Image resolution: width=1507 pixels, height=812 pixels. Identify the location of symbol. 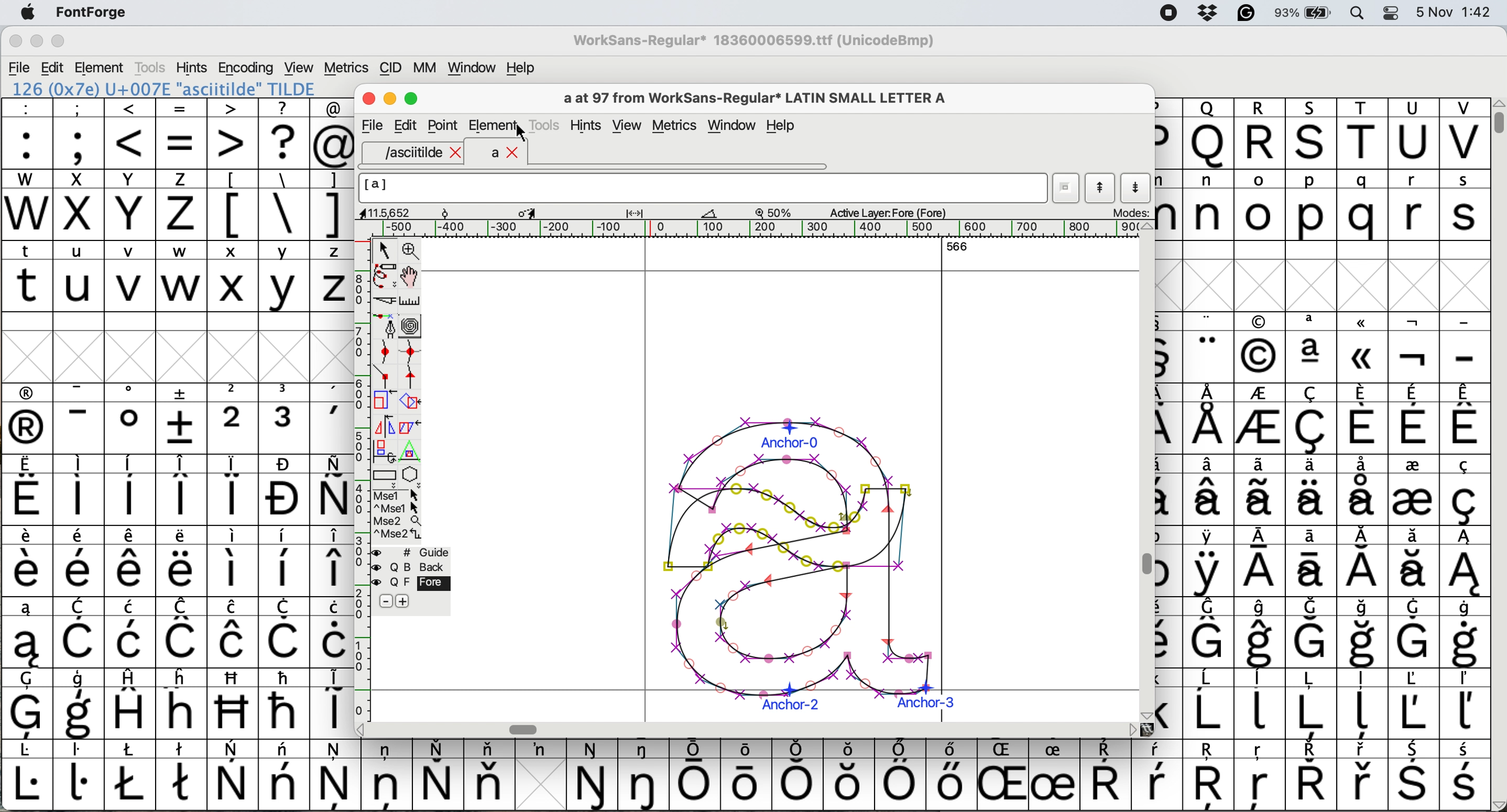
(438, 775).